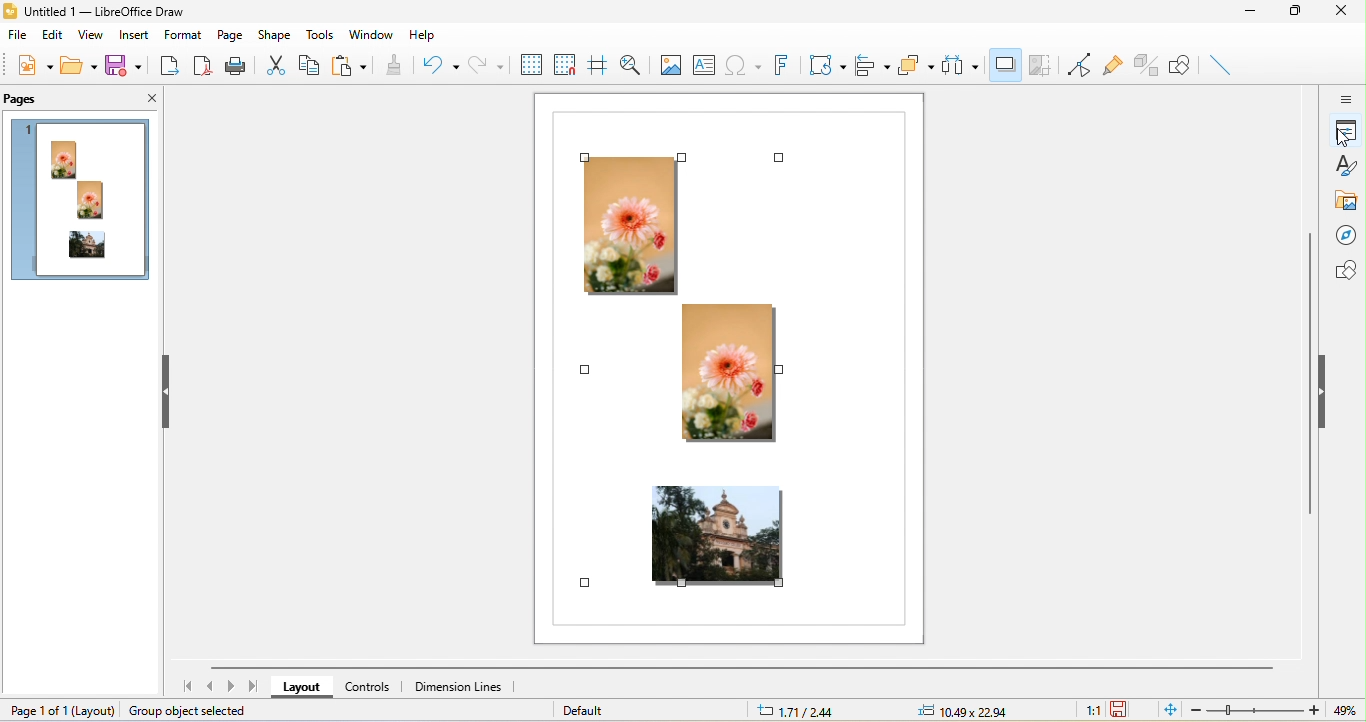  I want to click on helpline while moving, so click(598, 66).